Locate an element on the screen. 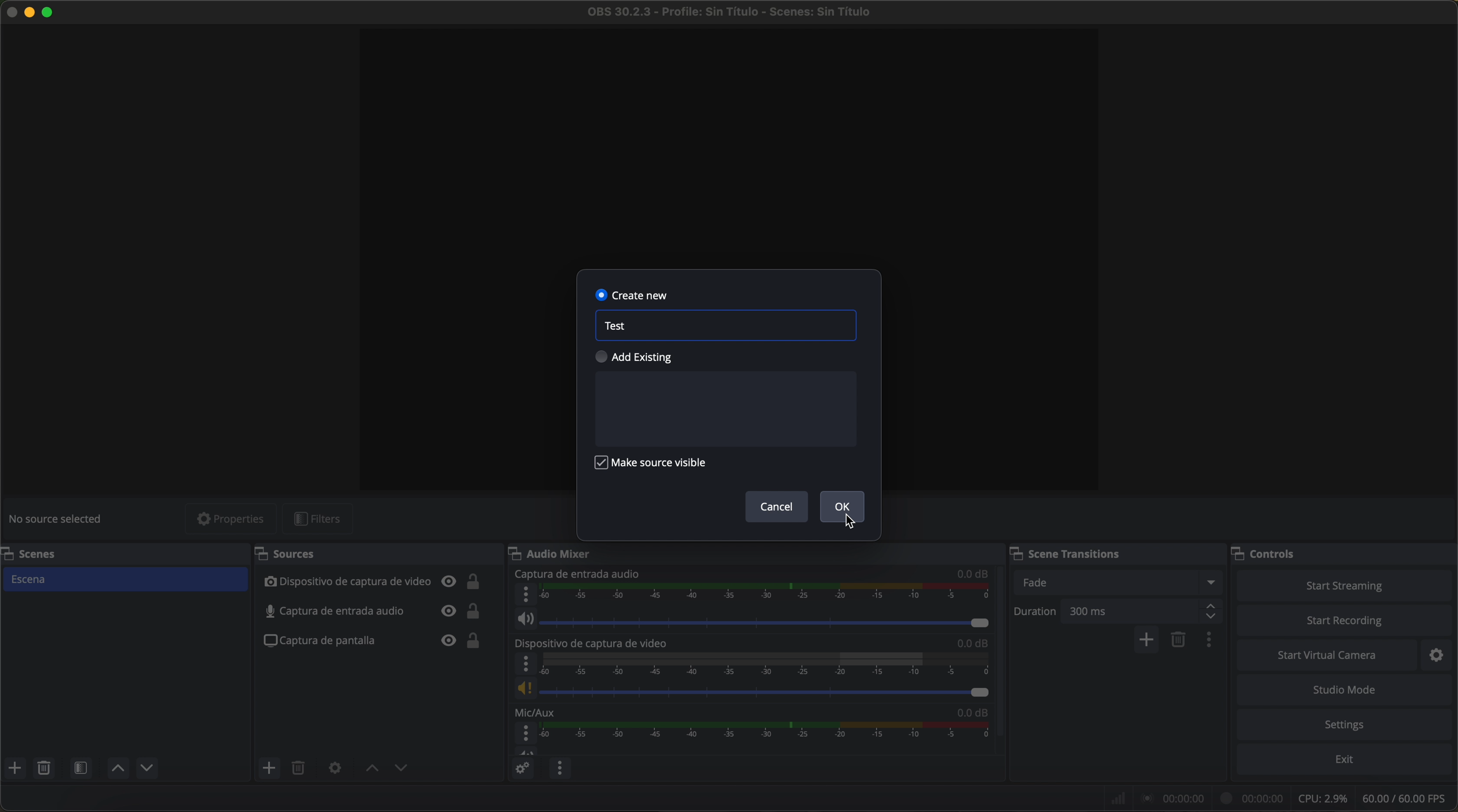 The height and width of the screenshot is (812, 1458). start streaming is located at coordinates (1340, 585).